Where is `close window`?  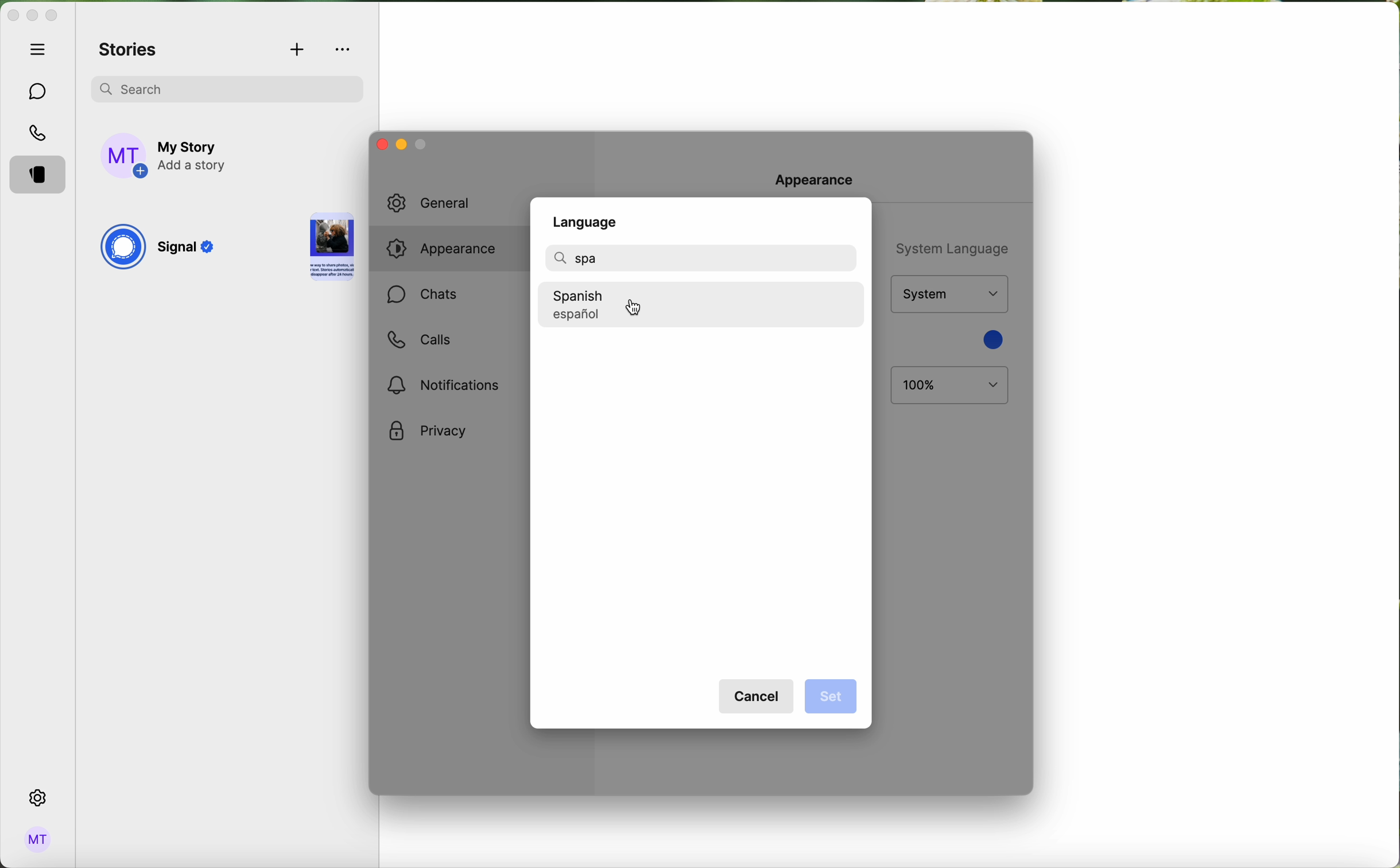 close window is located at coordinates (379, 144).